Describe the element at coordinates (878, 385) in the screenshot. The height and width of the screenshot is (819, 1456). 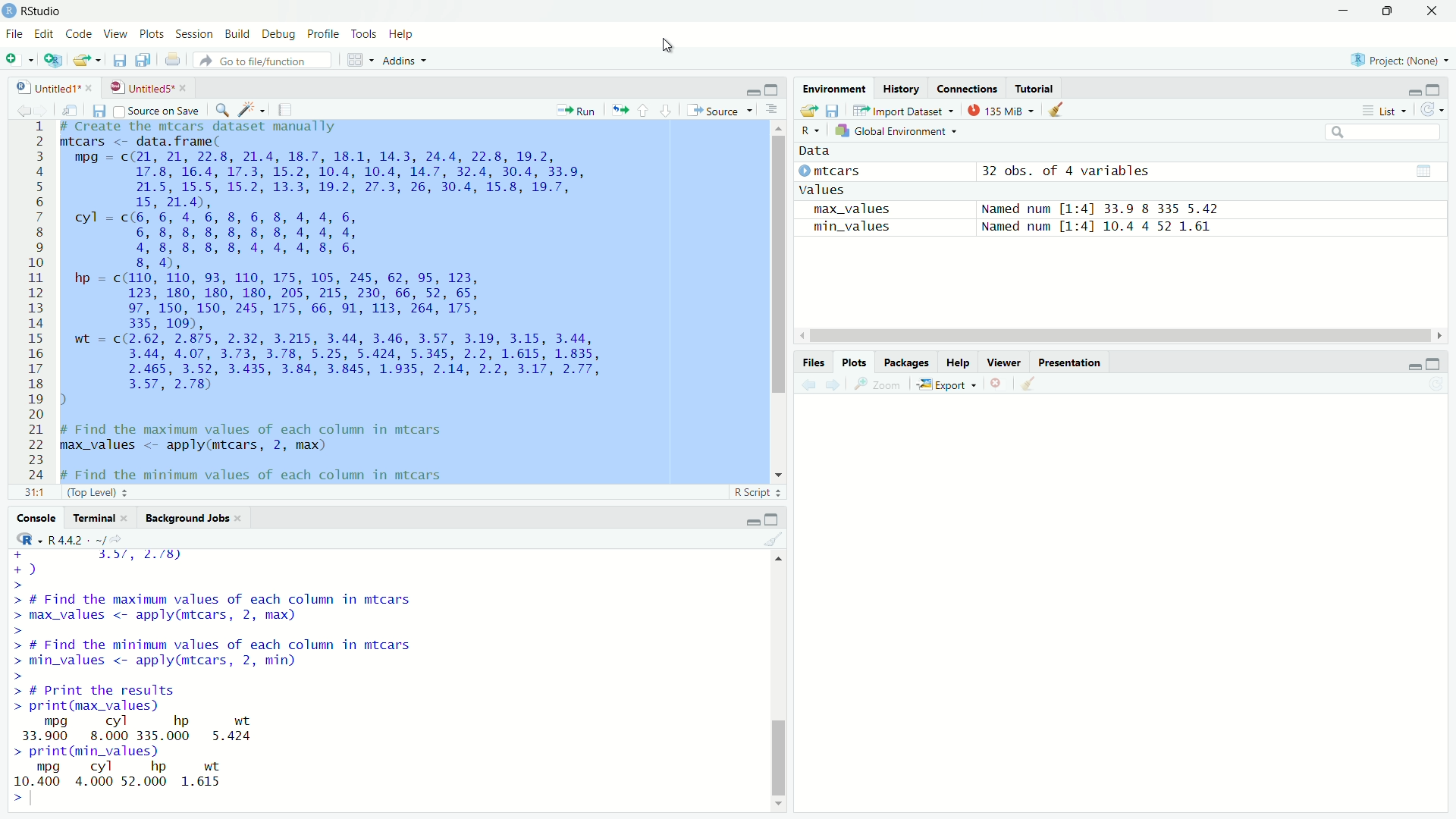
I see `zoom` at that location.